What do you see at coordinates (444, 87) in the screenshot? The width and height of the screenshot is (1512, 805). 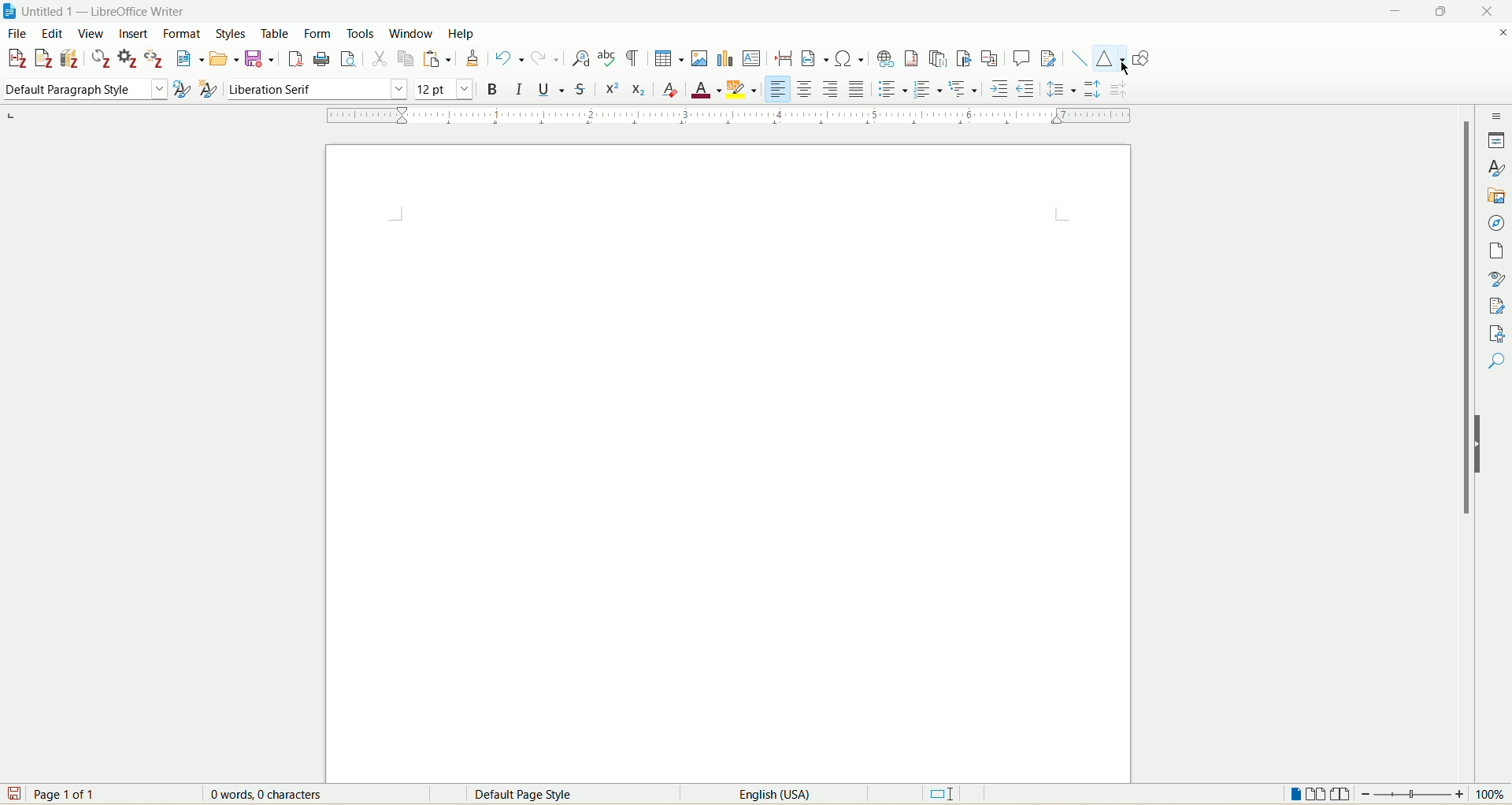 I see `font size` at bounding box center [444, 87].